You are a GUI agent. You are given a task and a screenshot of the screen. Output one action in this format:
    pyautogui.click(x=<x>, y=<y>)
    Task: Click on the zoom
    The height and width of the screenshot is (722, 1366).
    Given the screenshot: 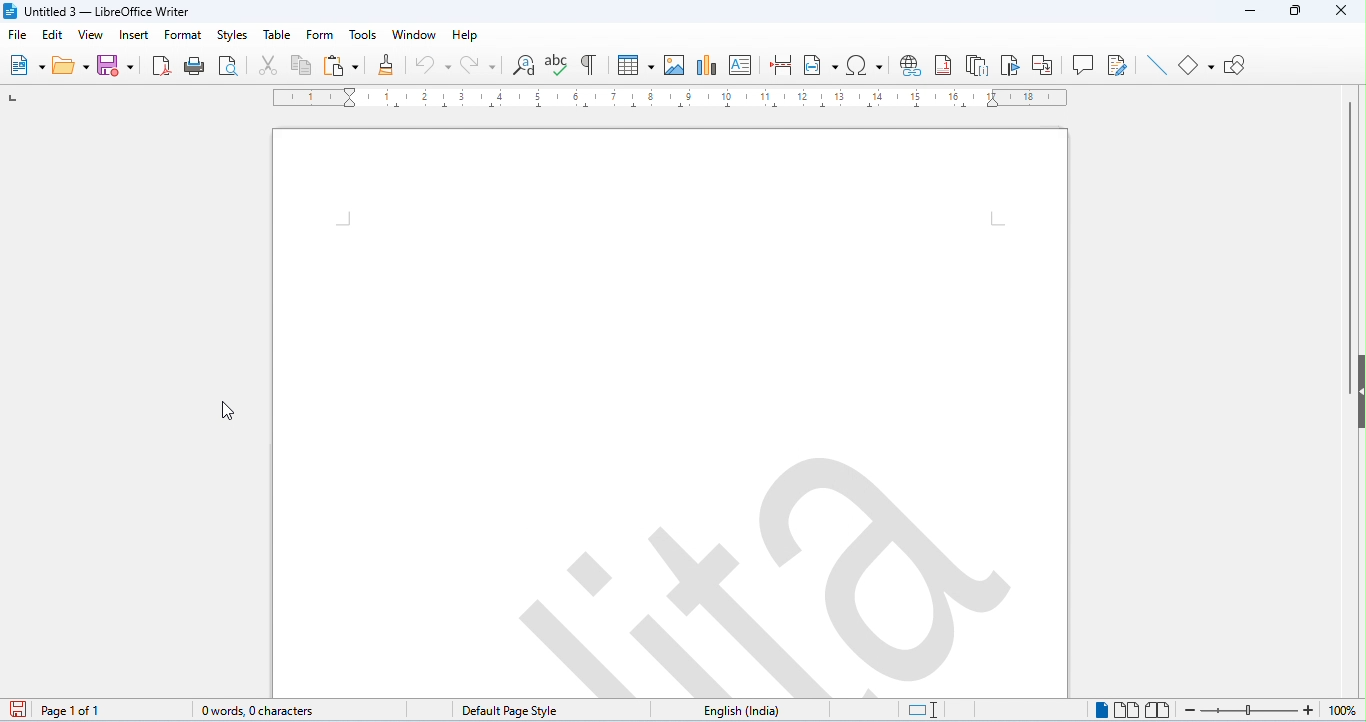 What is the action you would take?
    pyautogui.click(x=1274, y=711)
    